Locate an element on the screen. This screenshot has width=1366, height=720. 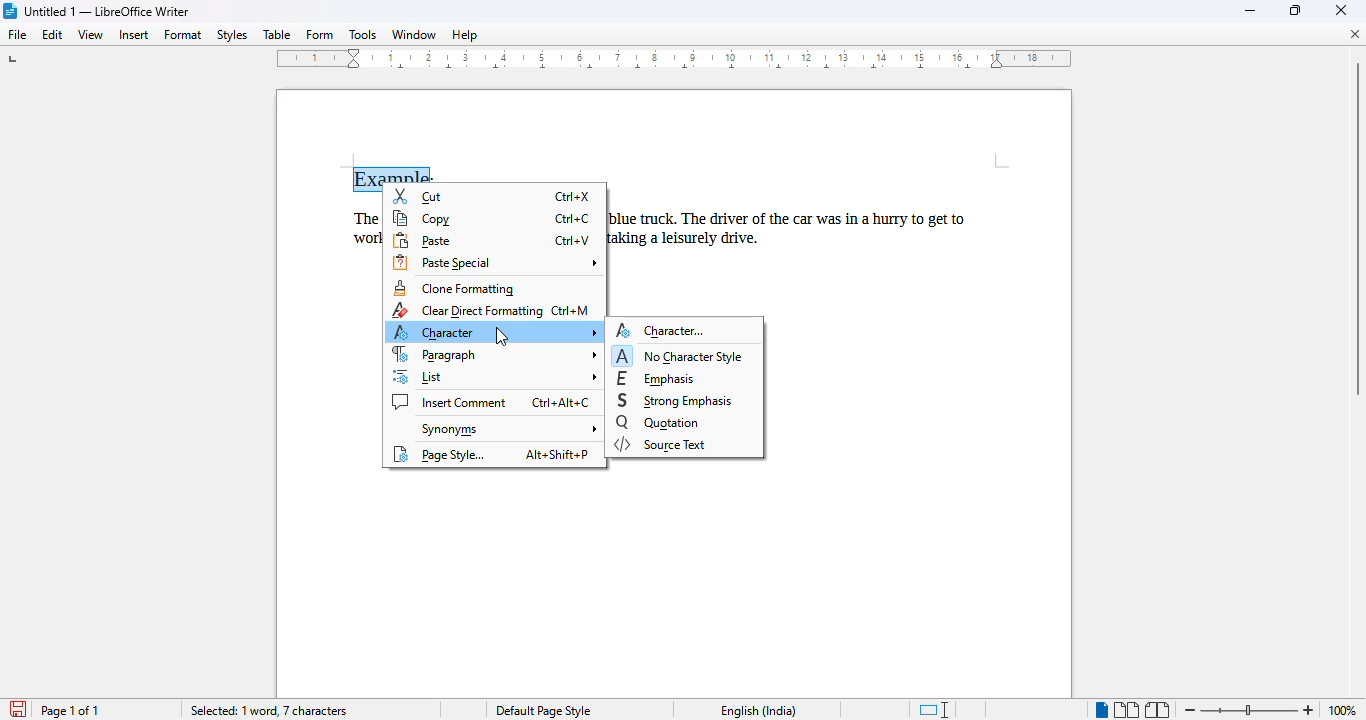
synonyms is located at coordinates (506, 429).